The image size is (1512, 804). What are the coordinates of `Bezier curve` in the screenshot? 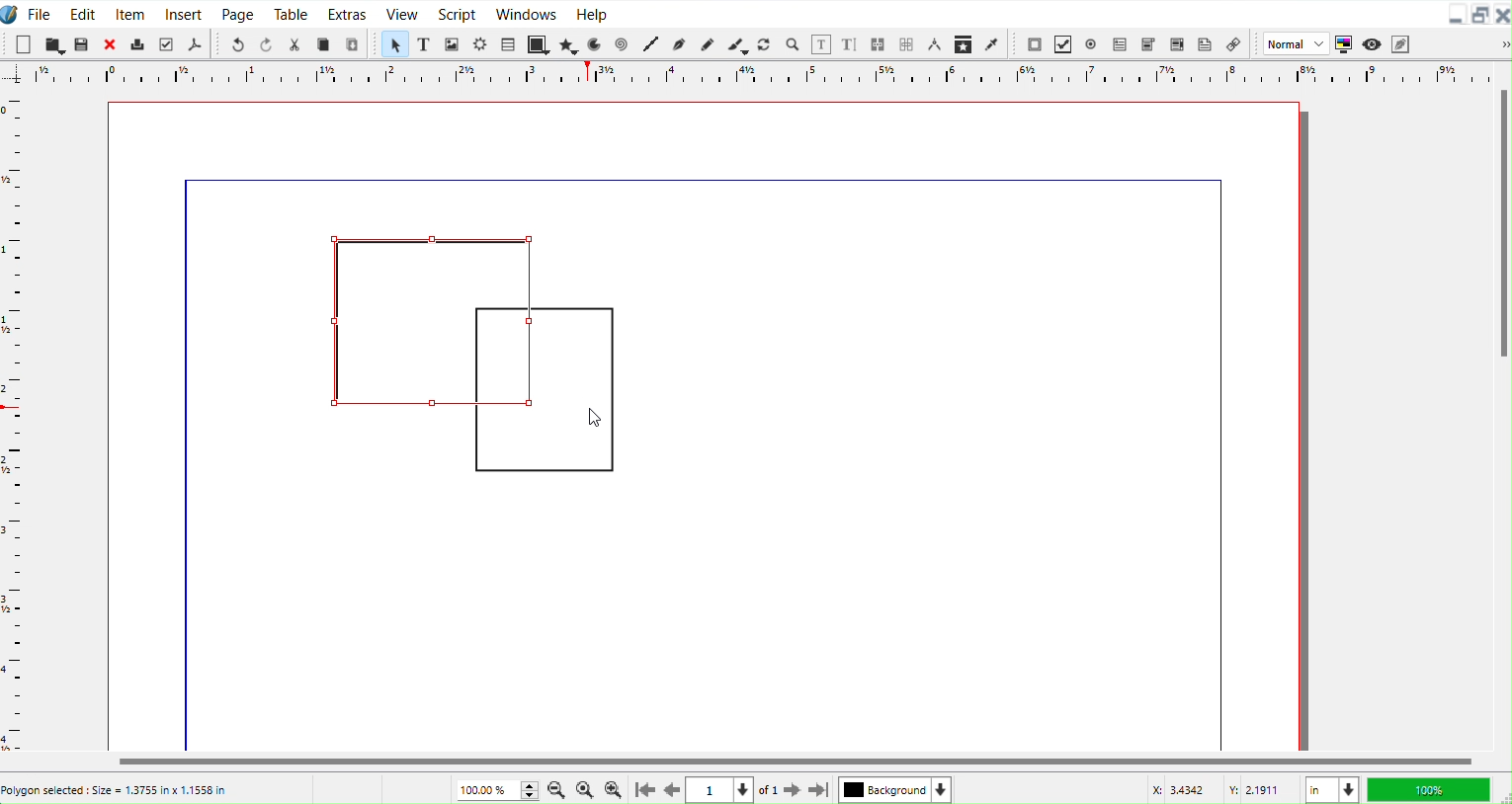 It's located at (680, 45).